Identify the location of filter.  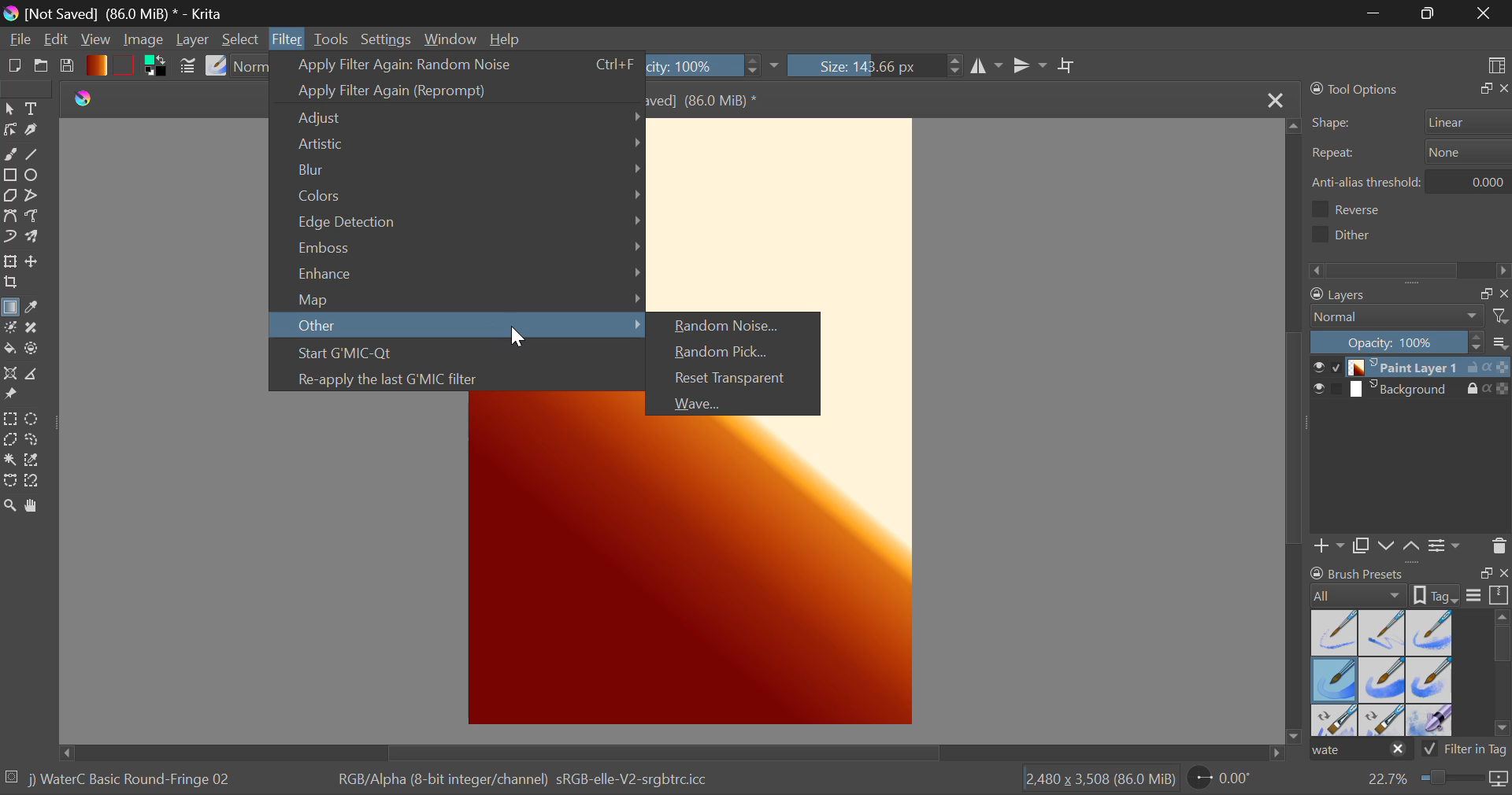
(1503, 316).